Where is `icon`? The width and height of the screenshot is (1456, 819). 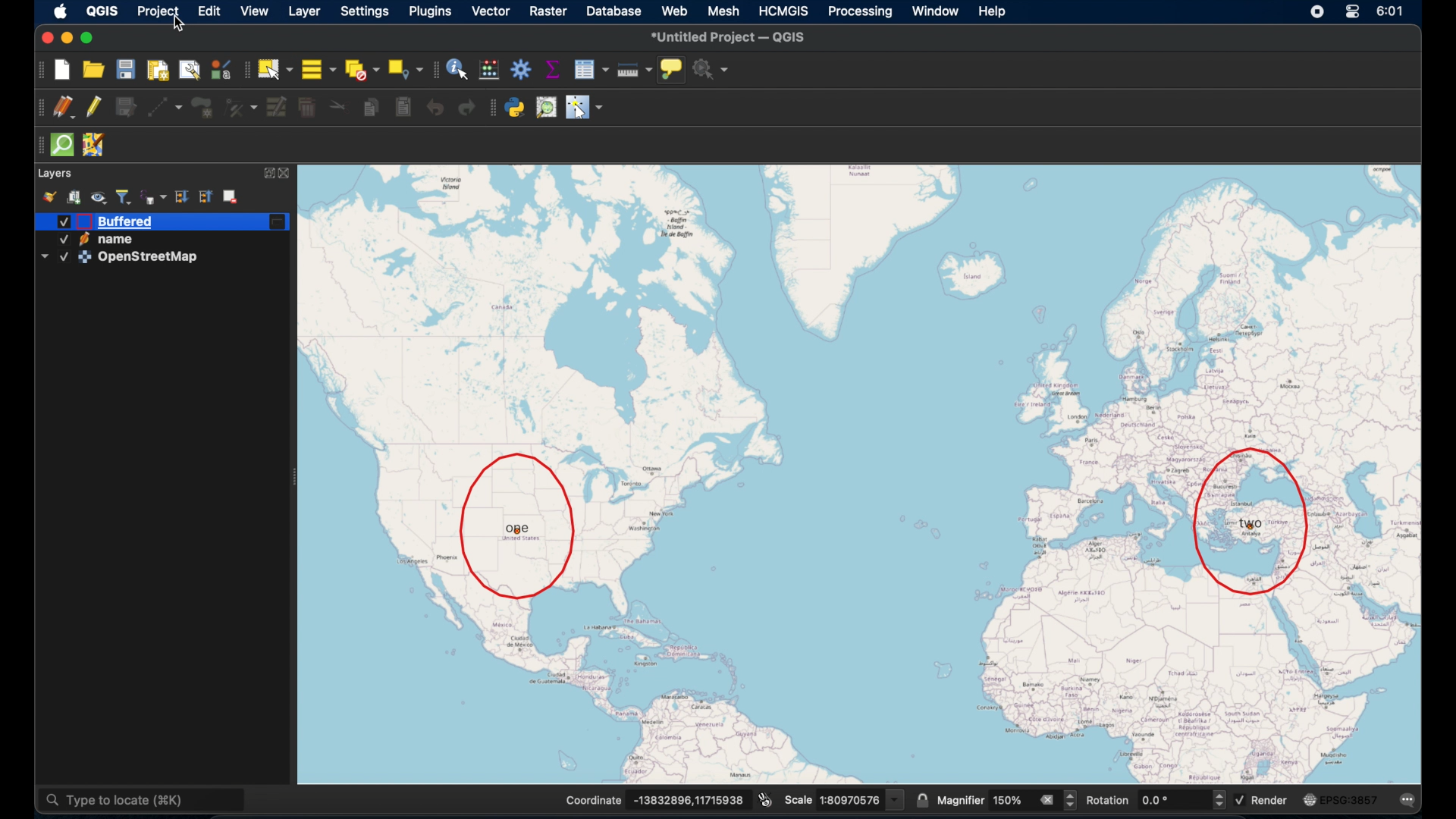
icon is located at coordinates (83, 240).